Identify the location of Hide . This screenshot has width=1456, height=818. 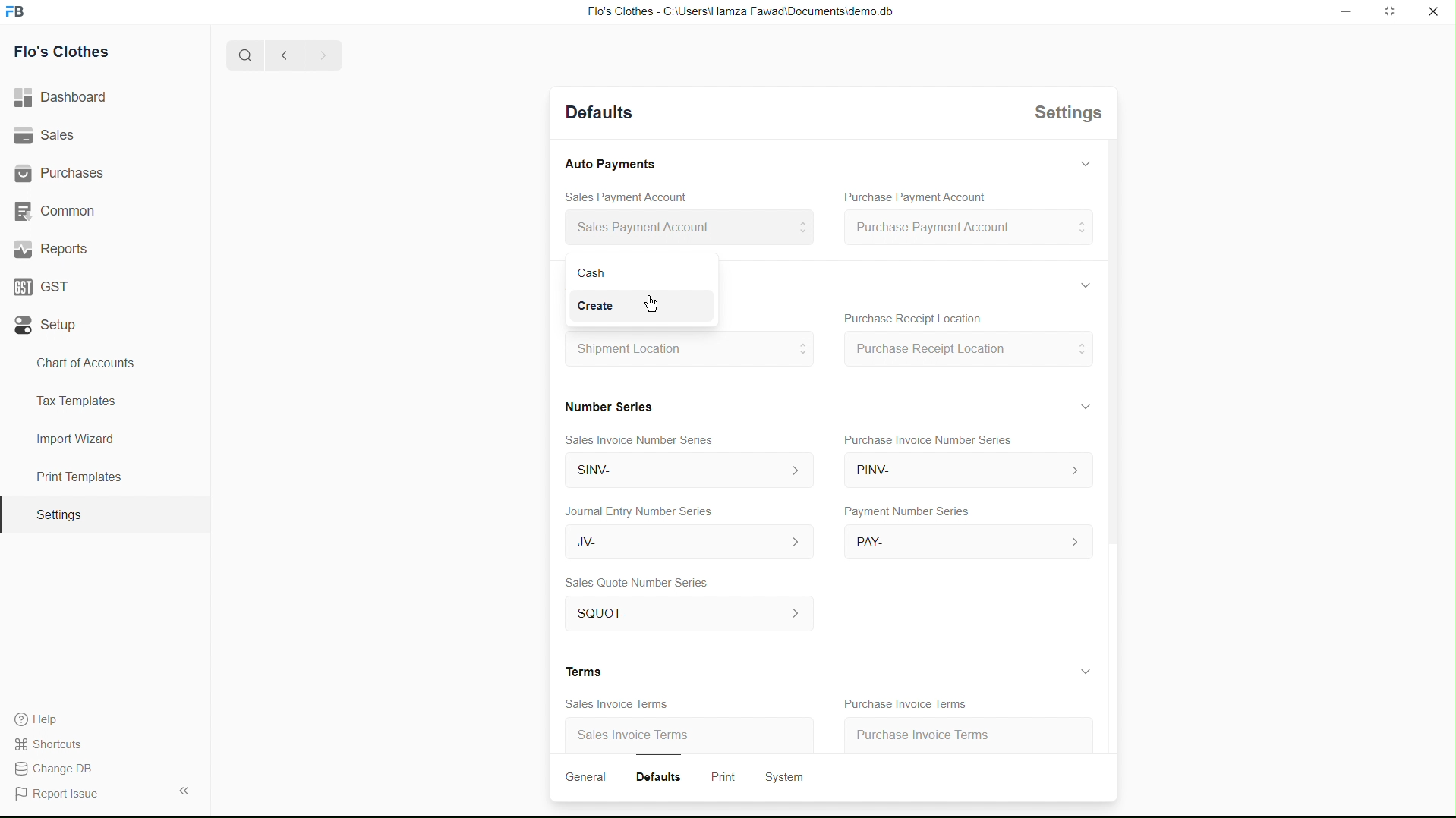
(1085, 284).